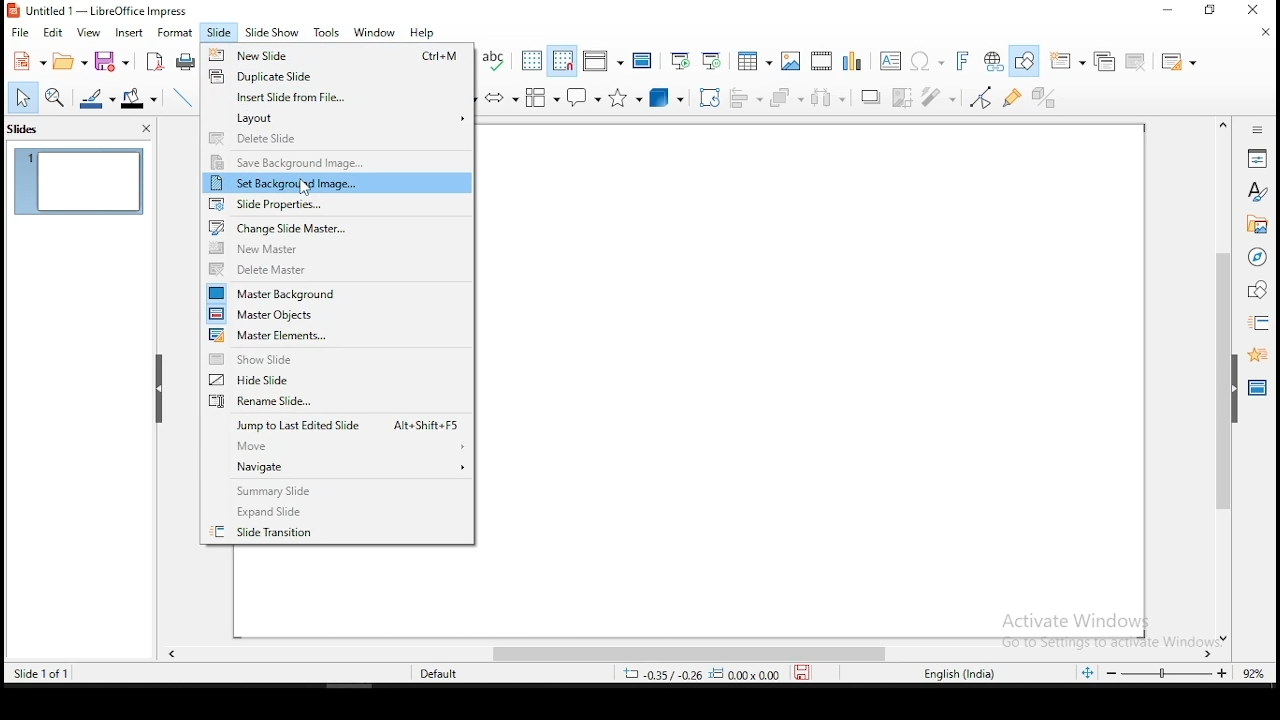 The image size is (1280, 720). I want to click on animation, so click(1258, 355).